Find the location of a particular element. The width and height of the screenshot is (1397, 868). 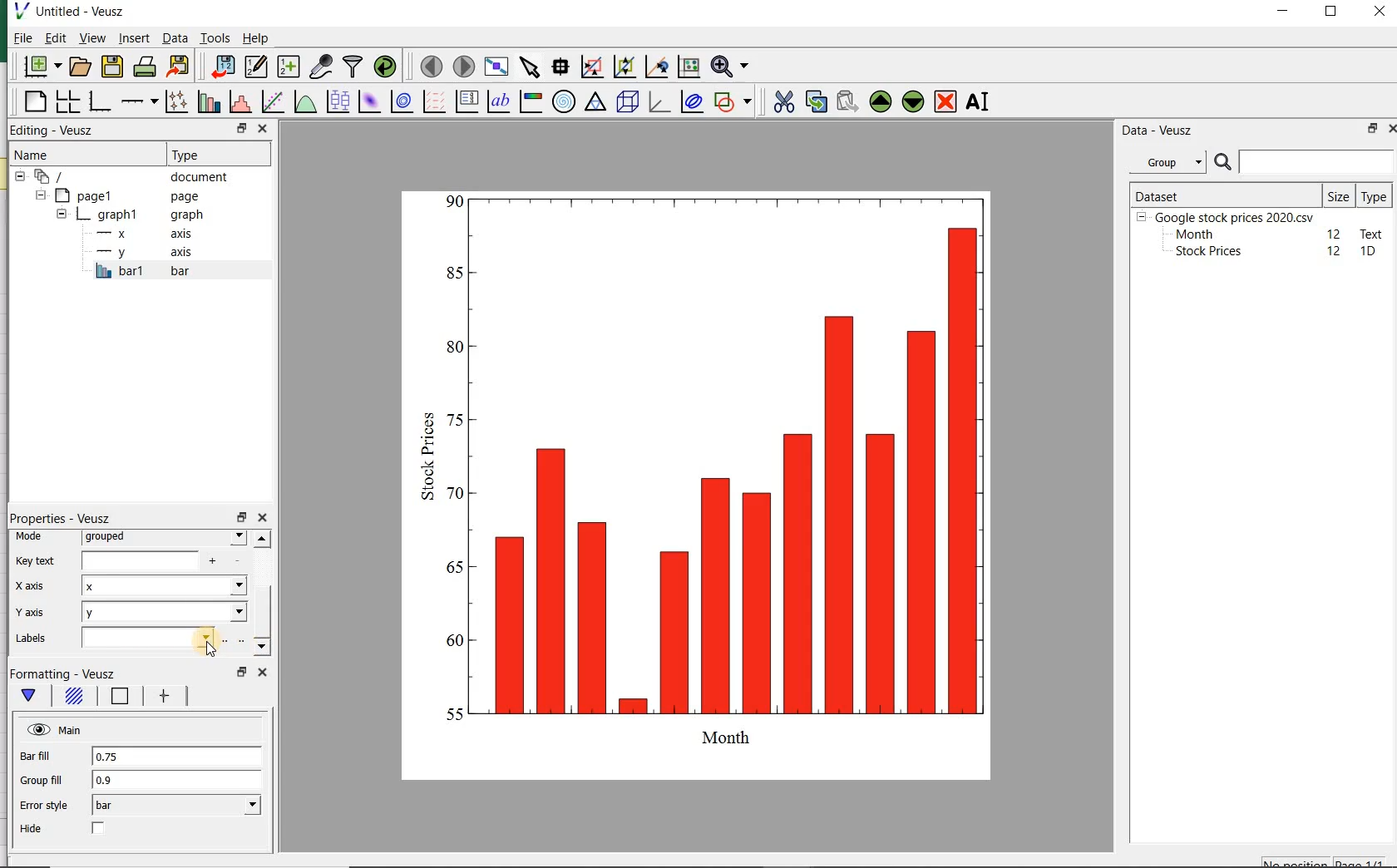

3d graph is located at coordinates (659, 103).